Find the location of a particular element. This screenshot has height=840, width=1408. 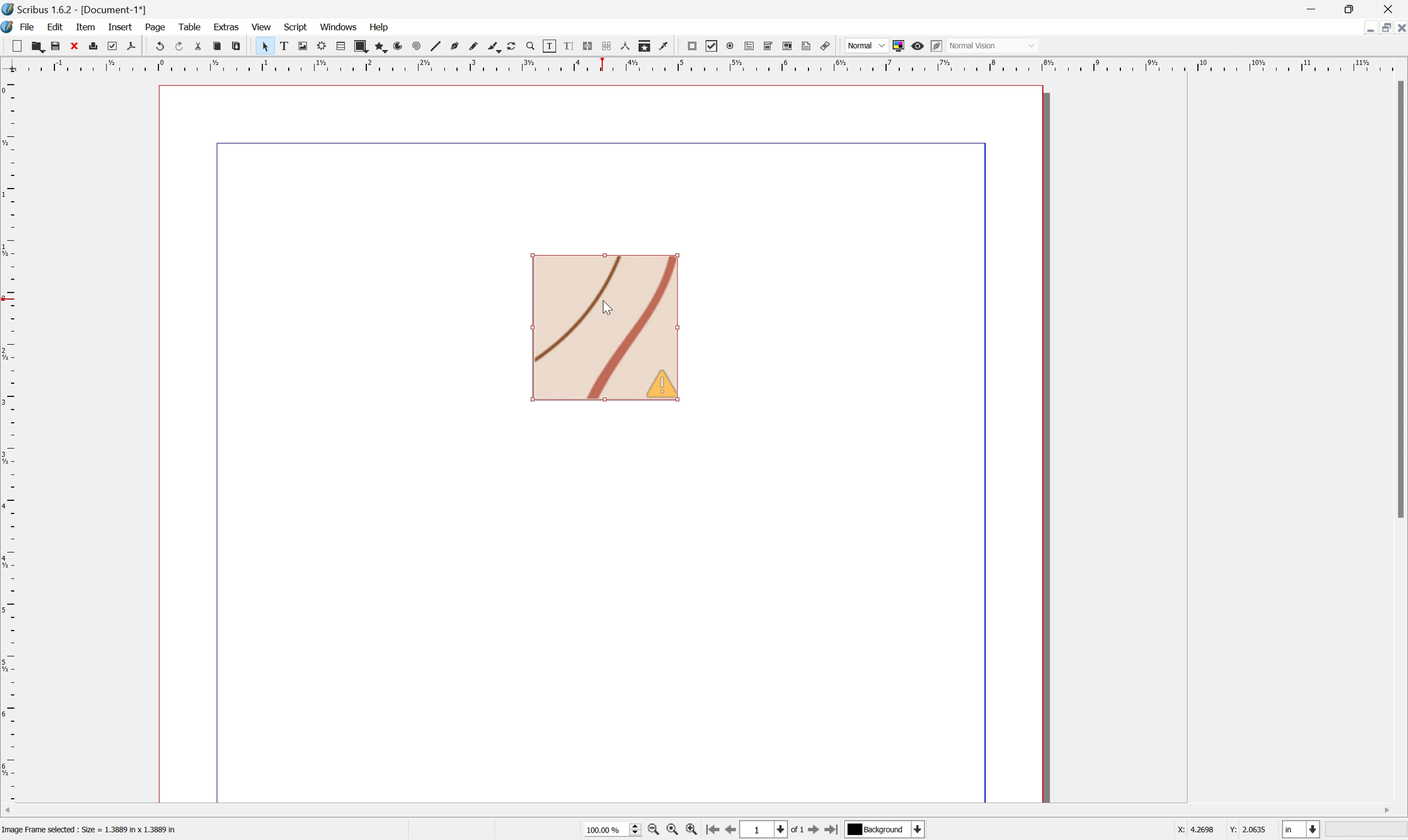

Save as PDF is located at coordinates (137, 46).